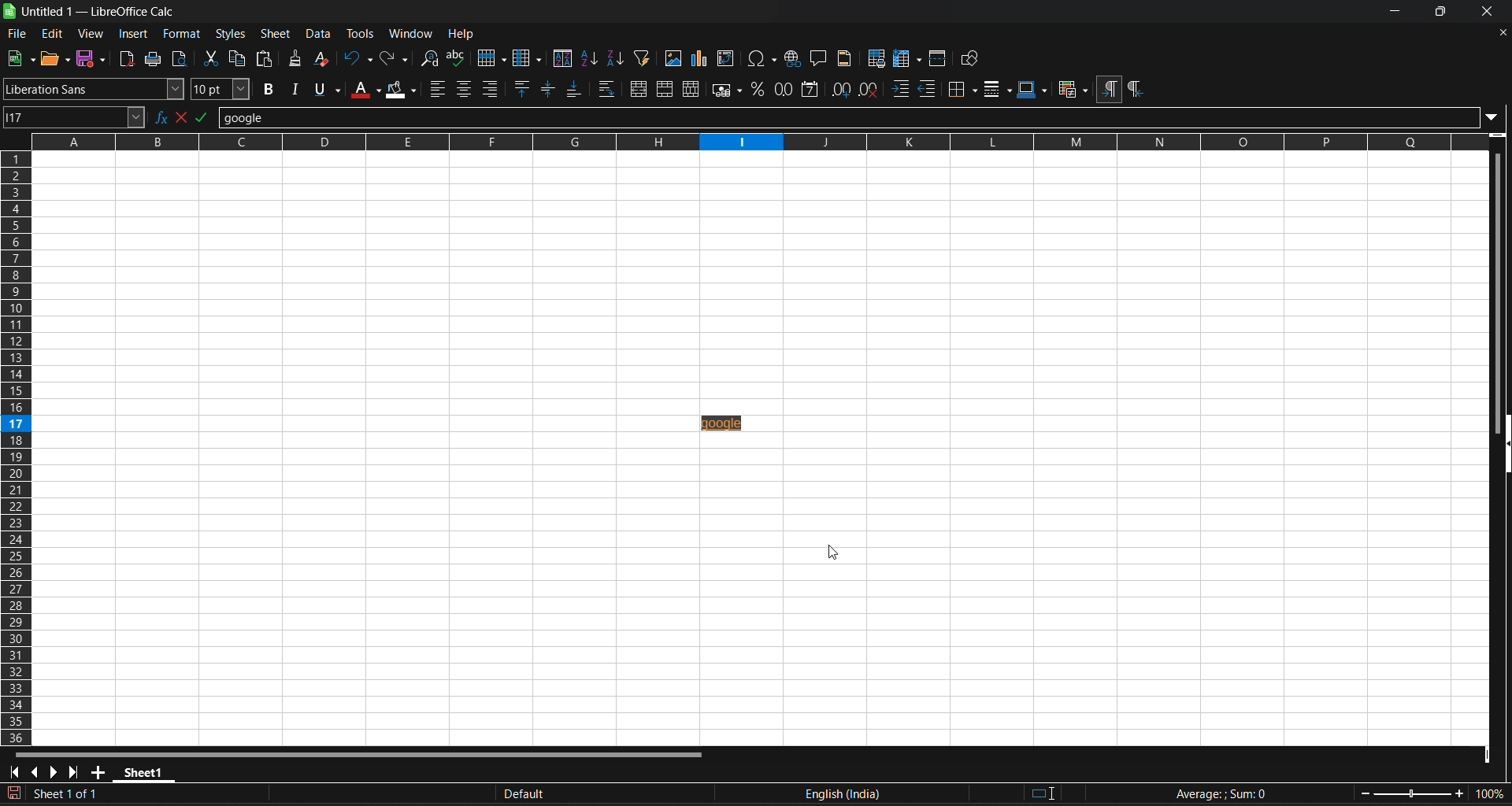  Describe the element at coordinates (617, 57) in the screenshot. I see `sort descending` at that location.